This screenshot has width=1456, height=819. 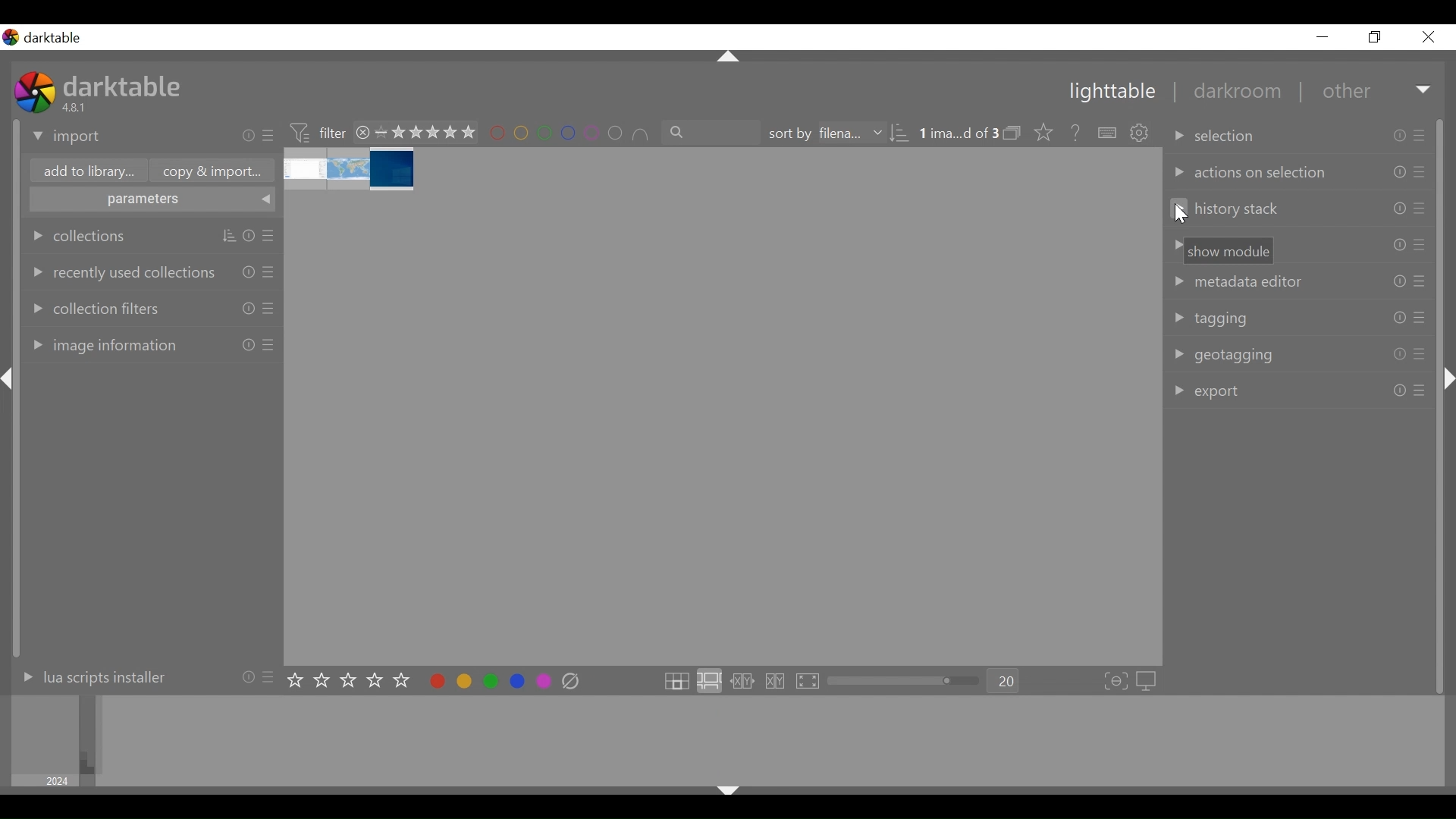 I want to click on style, so click(x=1222, y=251).